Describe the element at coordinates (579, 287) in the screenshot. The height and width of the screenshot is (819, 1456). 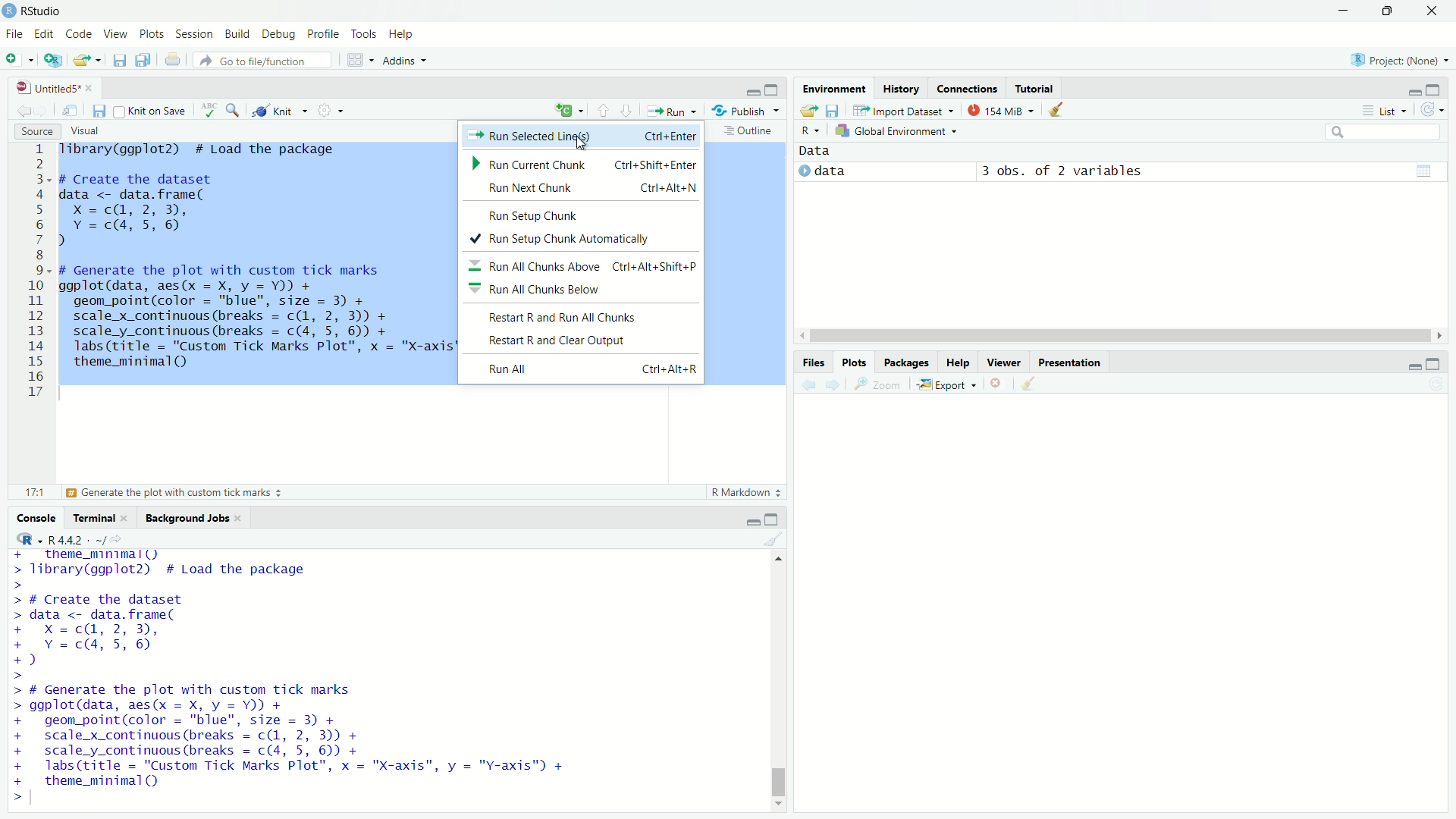
I see `Run All Chunks Below` at that location.